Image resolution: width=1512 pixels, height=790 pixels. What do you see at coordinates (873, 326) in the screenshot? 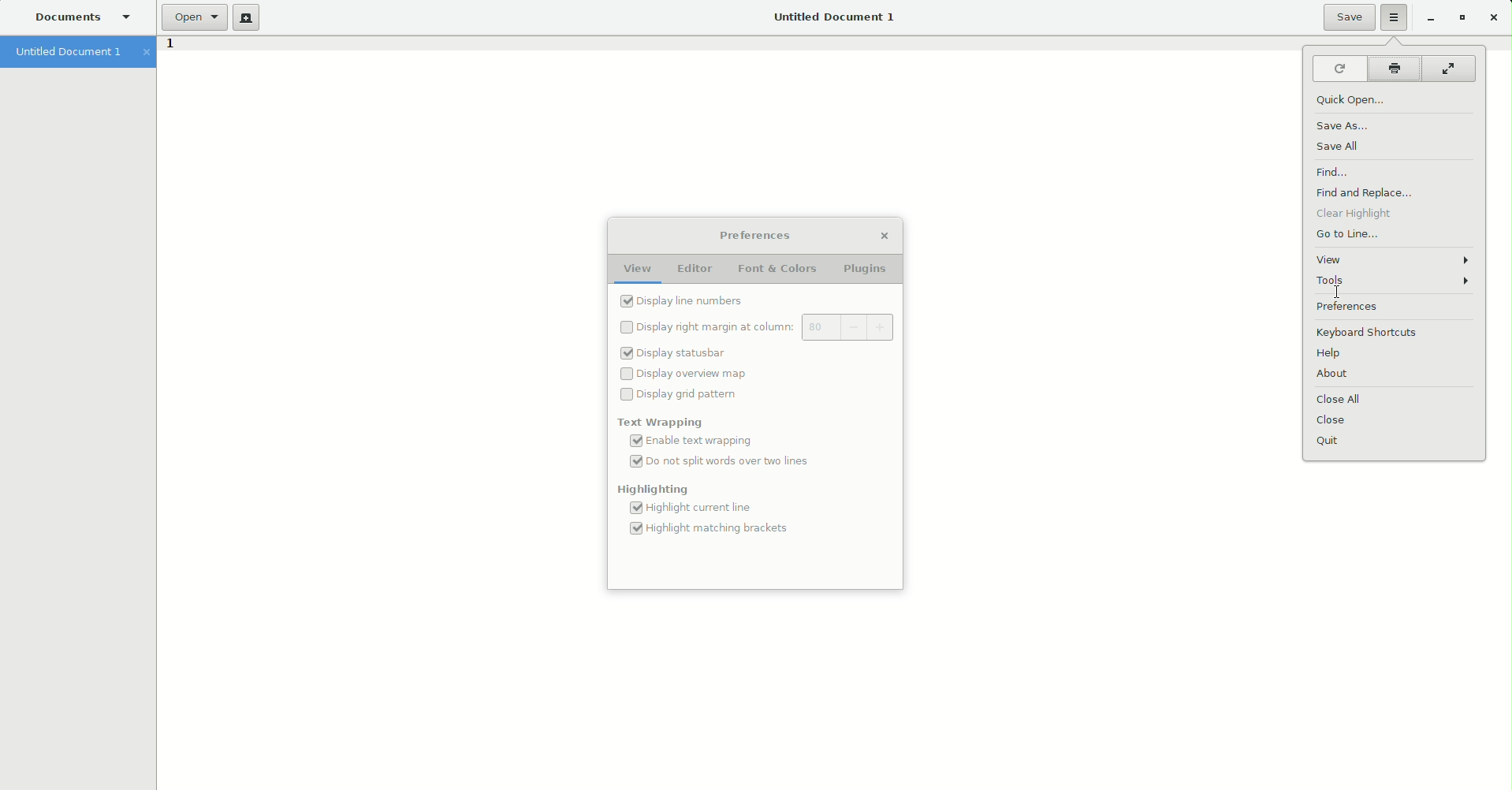
I see `+` at bounding box center [873, 326].